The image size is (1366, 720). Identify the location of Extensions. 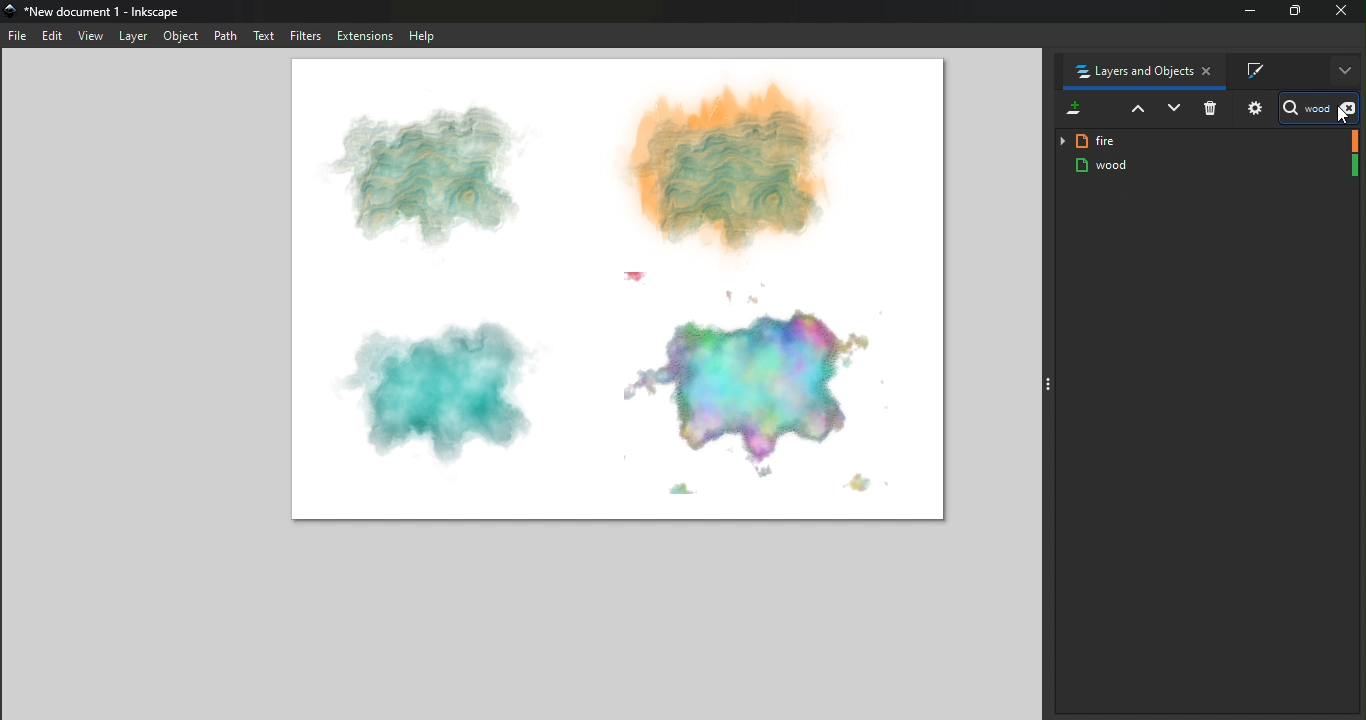
(365, 35).